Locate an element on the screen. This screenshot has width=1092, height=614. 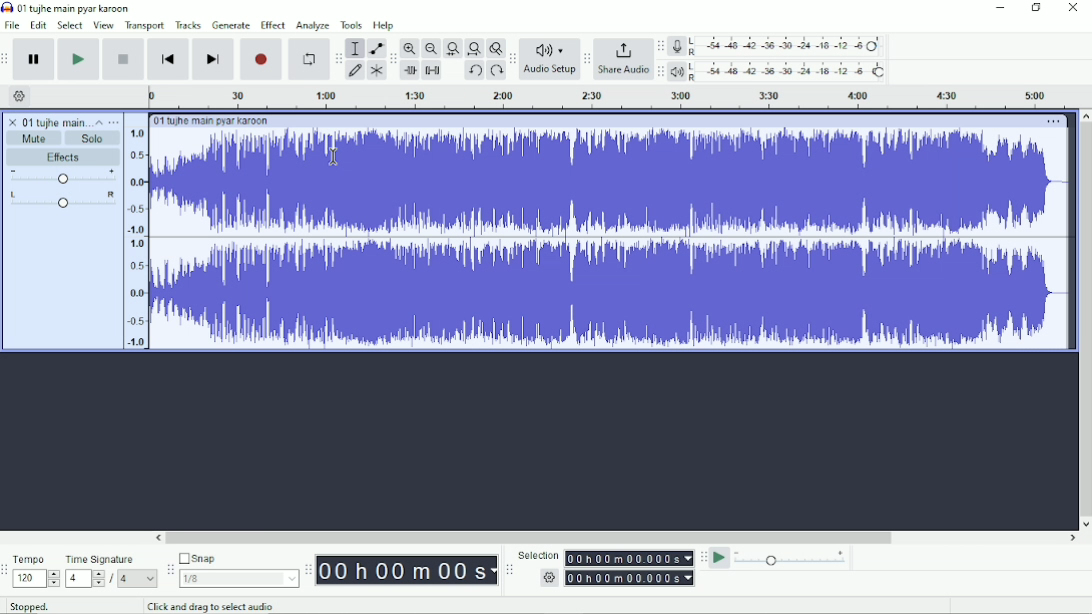
Record is located at coordinates (262, 59).